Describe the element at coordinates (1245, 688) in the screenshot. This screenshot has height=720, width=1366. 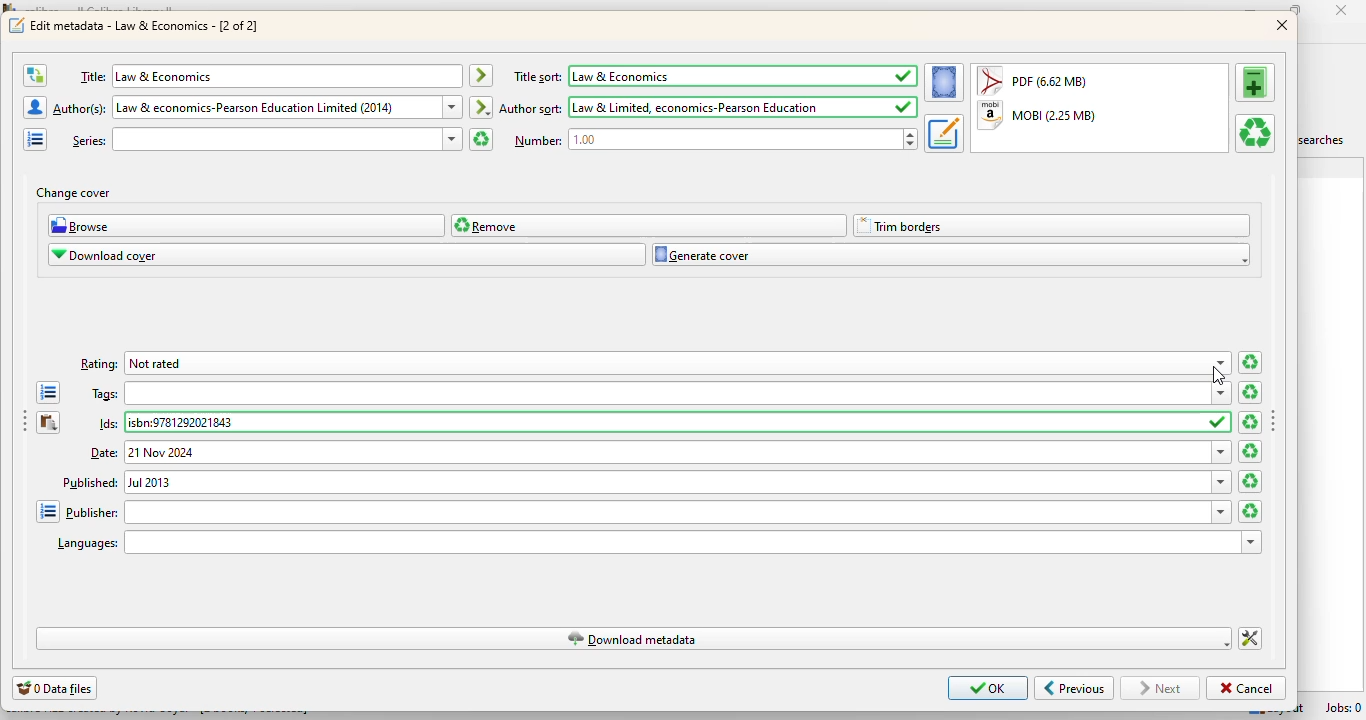
I see `cancel` at that location.